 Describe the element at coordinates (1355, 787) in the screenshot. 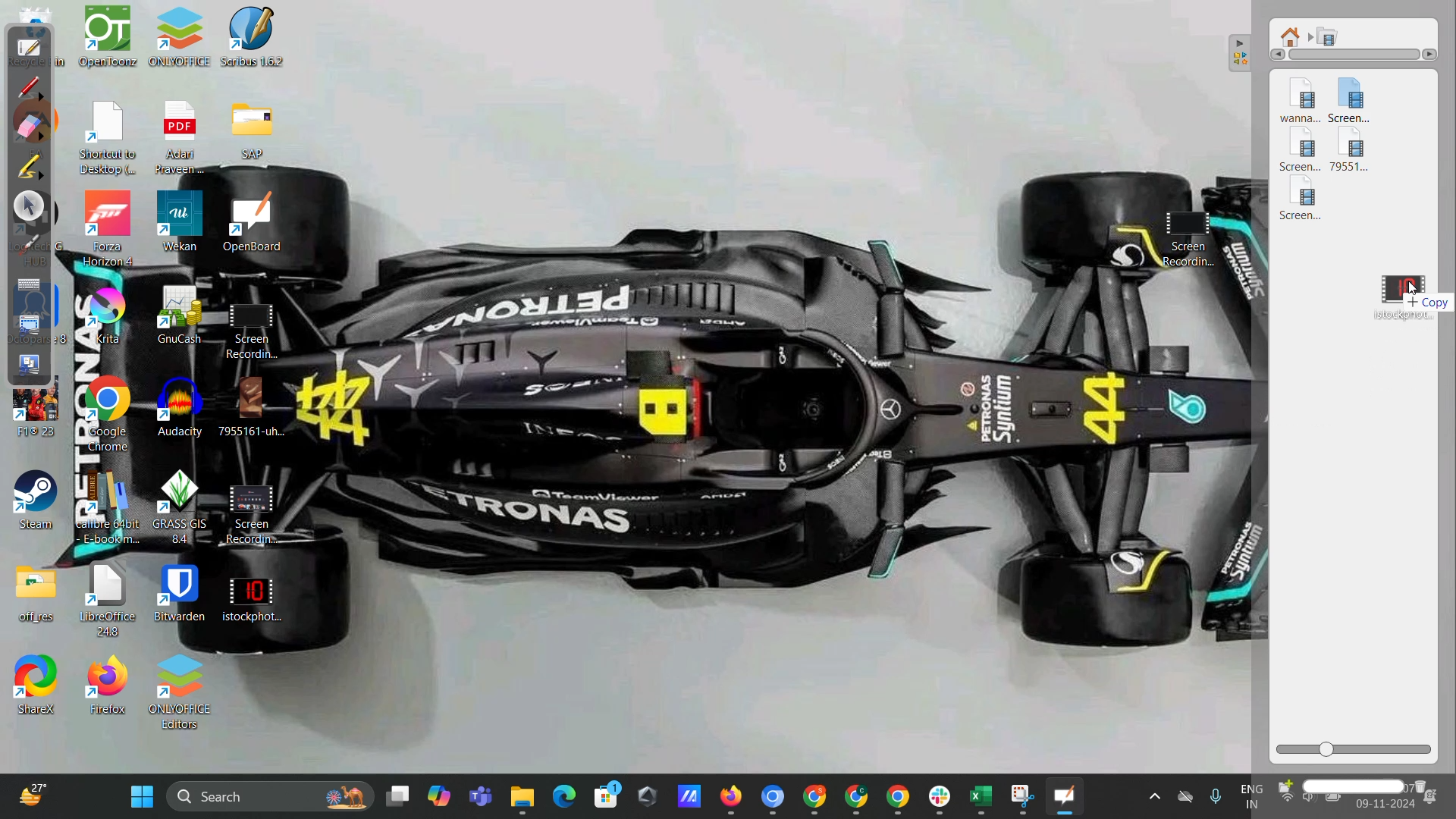

I see `name box` at that location.